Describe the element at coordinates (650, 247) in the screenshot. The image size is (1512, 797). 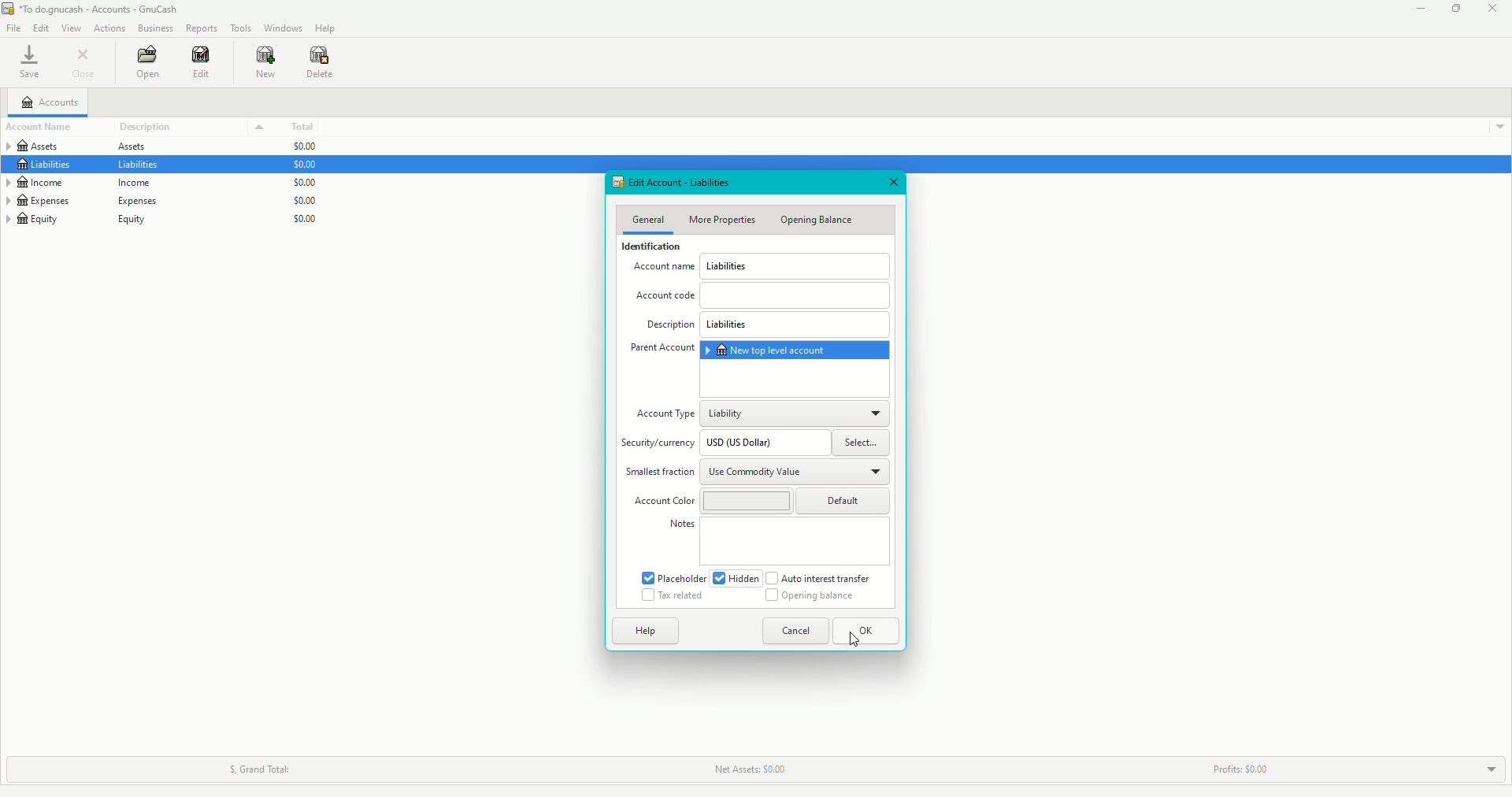
I see `Identification` at that location.